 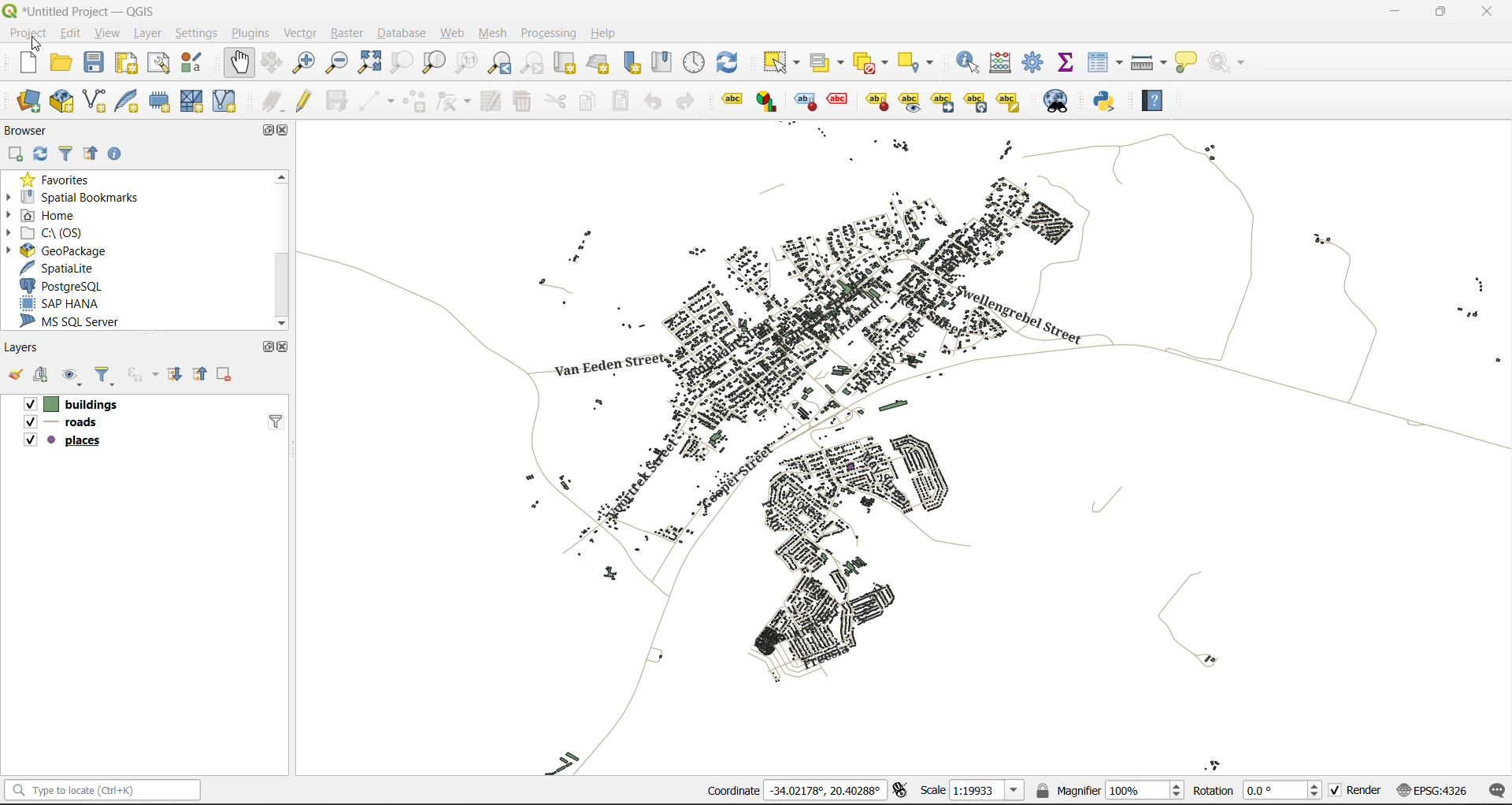 I want to click on rotation, so click(x=1258, y=789).